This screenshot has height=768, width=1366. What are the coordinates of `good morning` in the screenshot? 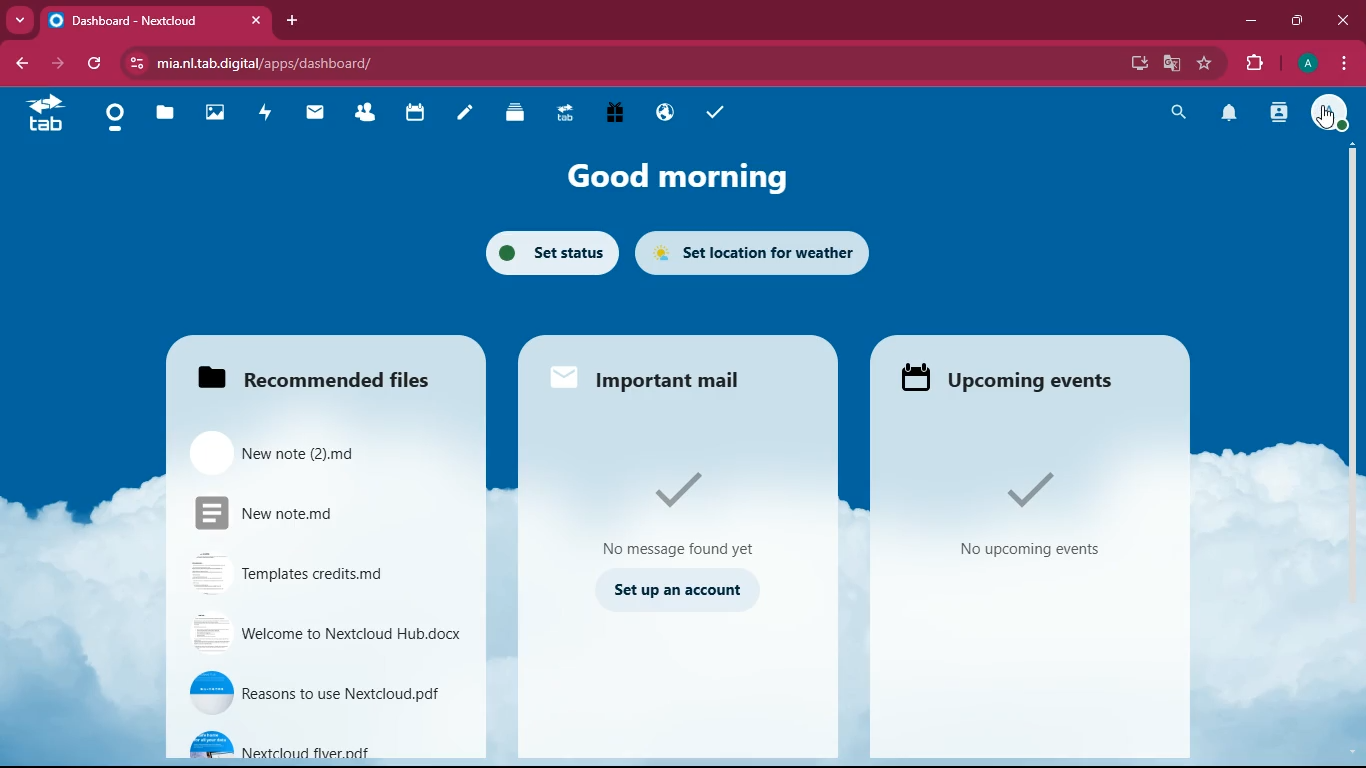 It's located at (668, 180).